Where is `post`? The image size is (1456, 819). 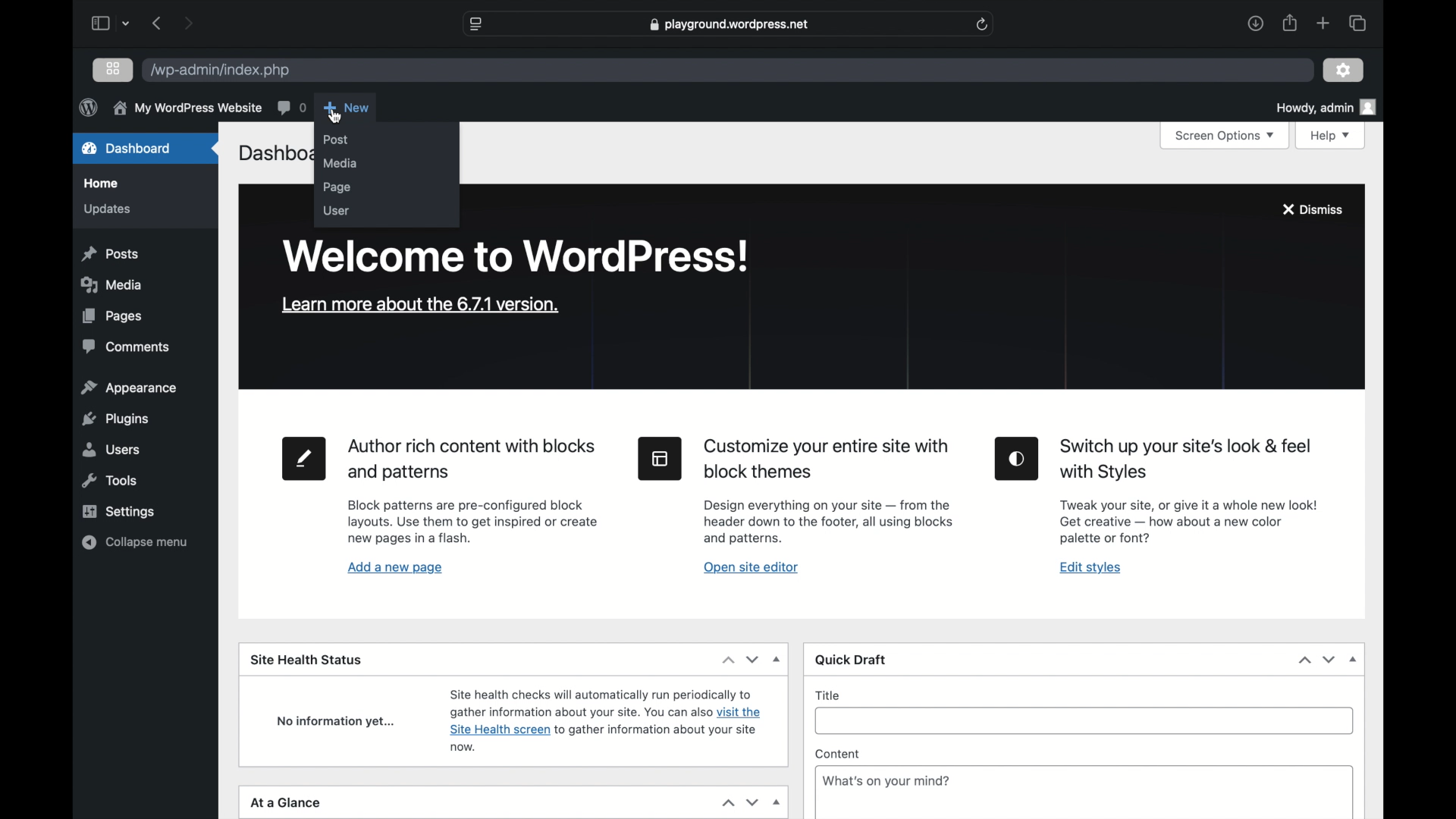
post is located at coordinates (336, 140).